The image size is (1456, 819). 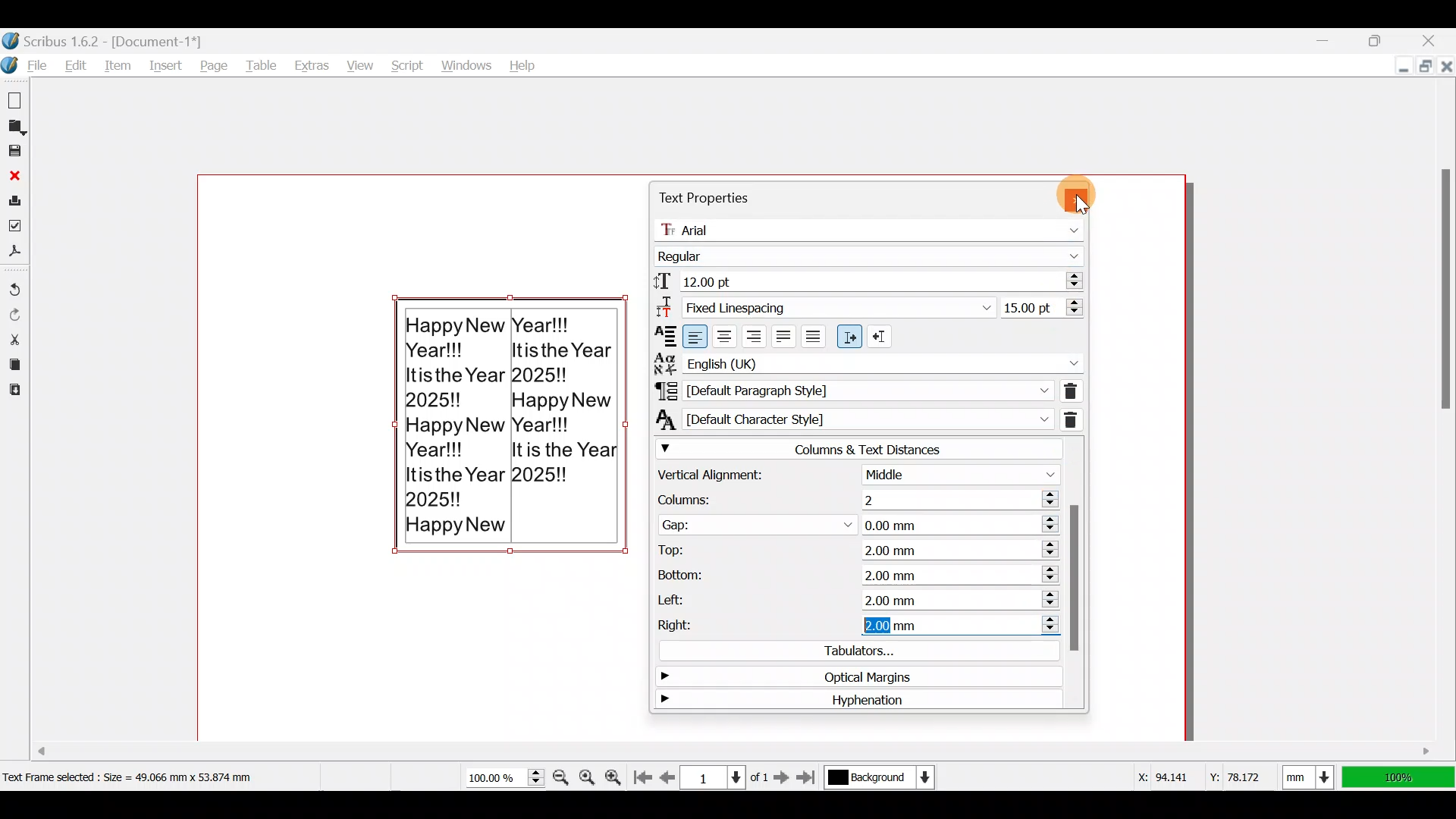 What do you see at coordinates (15, 283) in the screenshot?
I see `Undo` at bounding box center [15, 283].